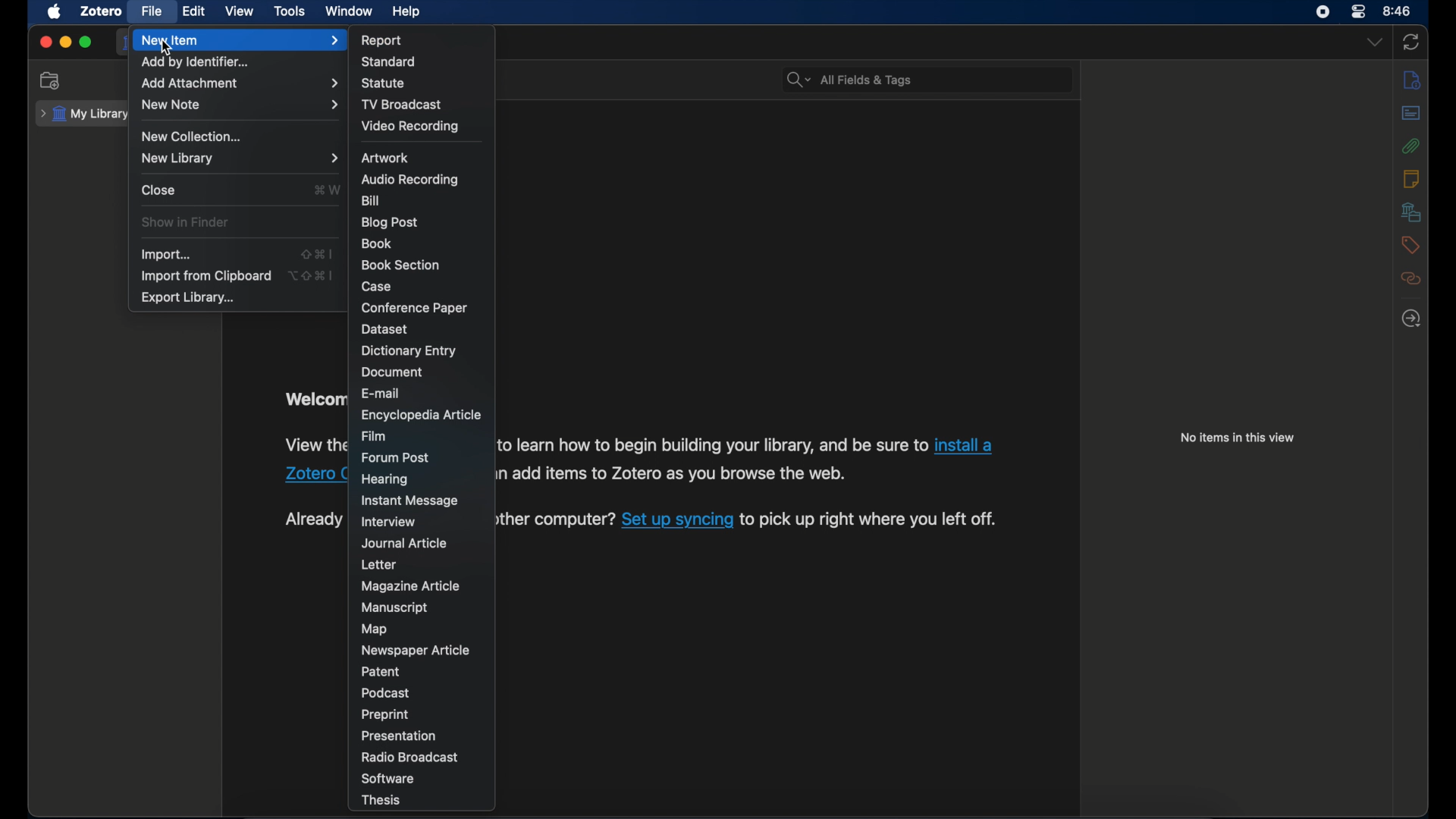 This screenshot has height=819, width=1456. What do you see at coordinates (406, 12) in the screenshot?
I see `help` at bounding box center [406, 12].